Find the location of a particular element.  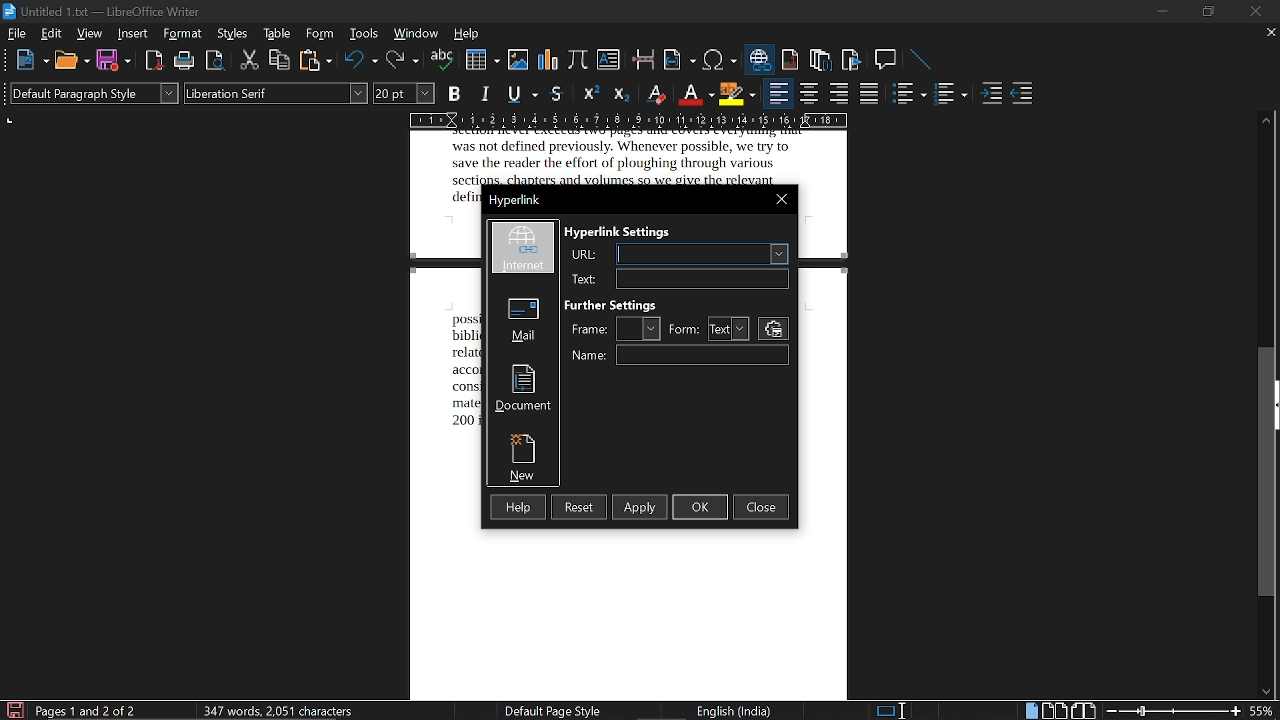

strikethrough is located at coordinates (556, 94).